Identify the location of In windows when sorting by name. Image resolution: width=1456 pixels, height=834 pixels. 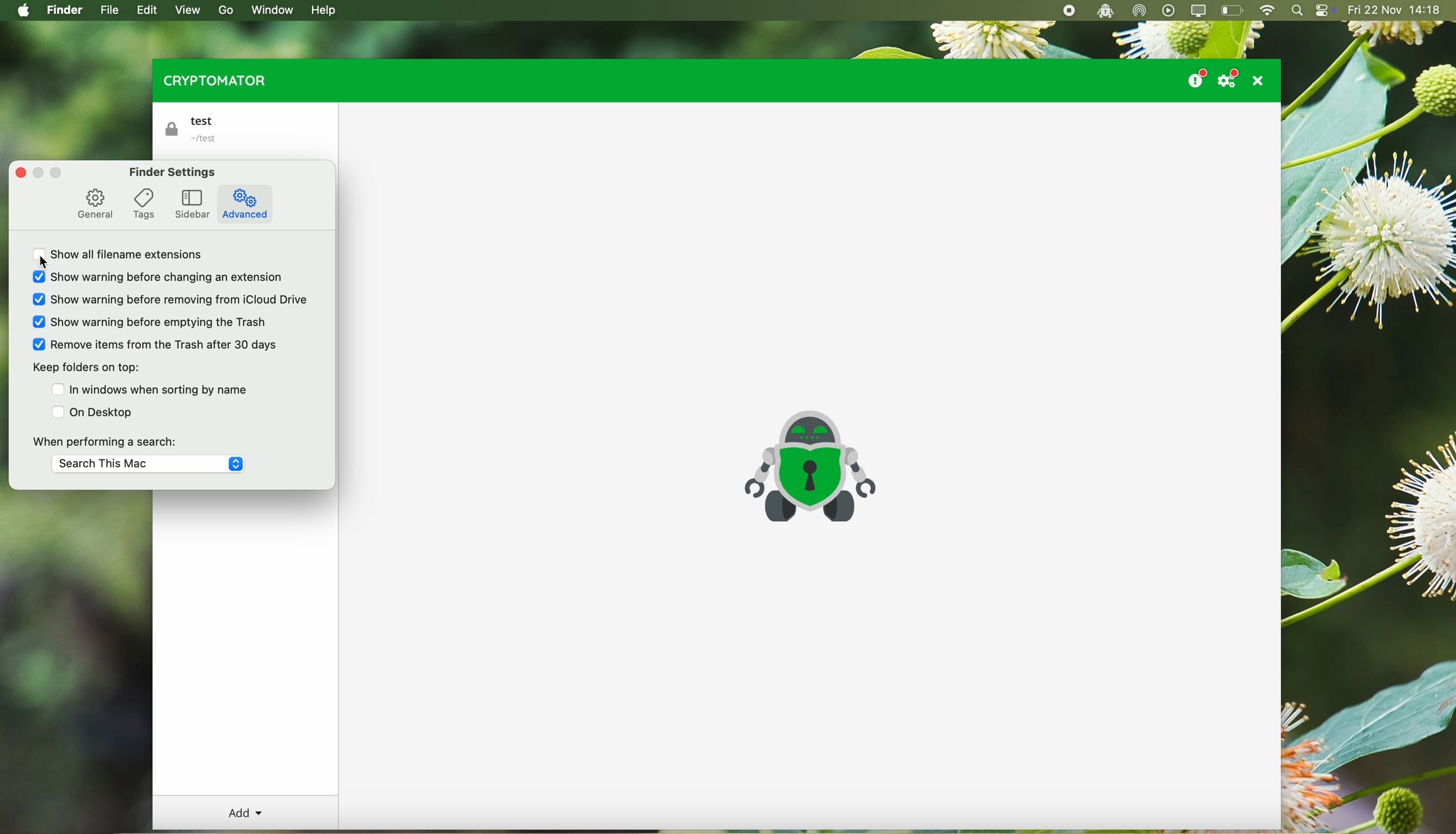
(149, 388).